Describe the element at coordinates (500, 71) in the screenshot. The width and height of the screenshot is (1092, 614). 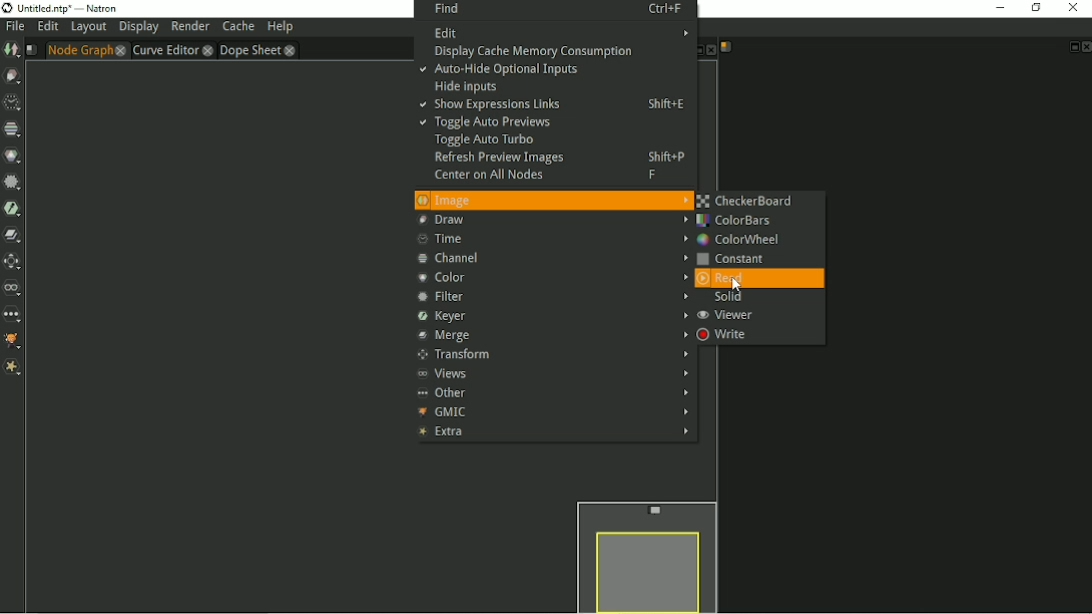
I see `Auto hide optional inputs` at that location.